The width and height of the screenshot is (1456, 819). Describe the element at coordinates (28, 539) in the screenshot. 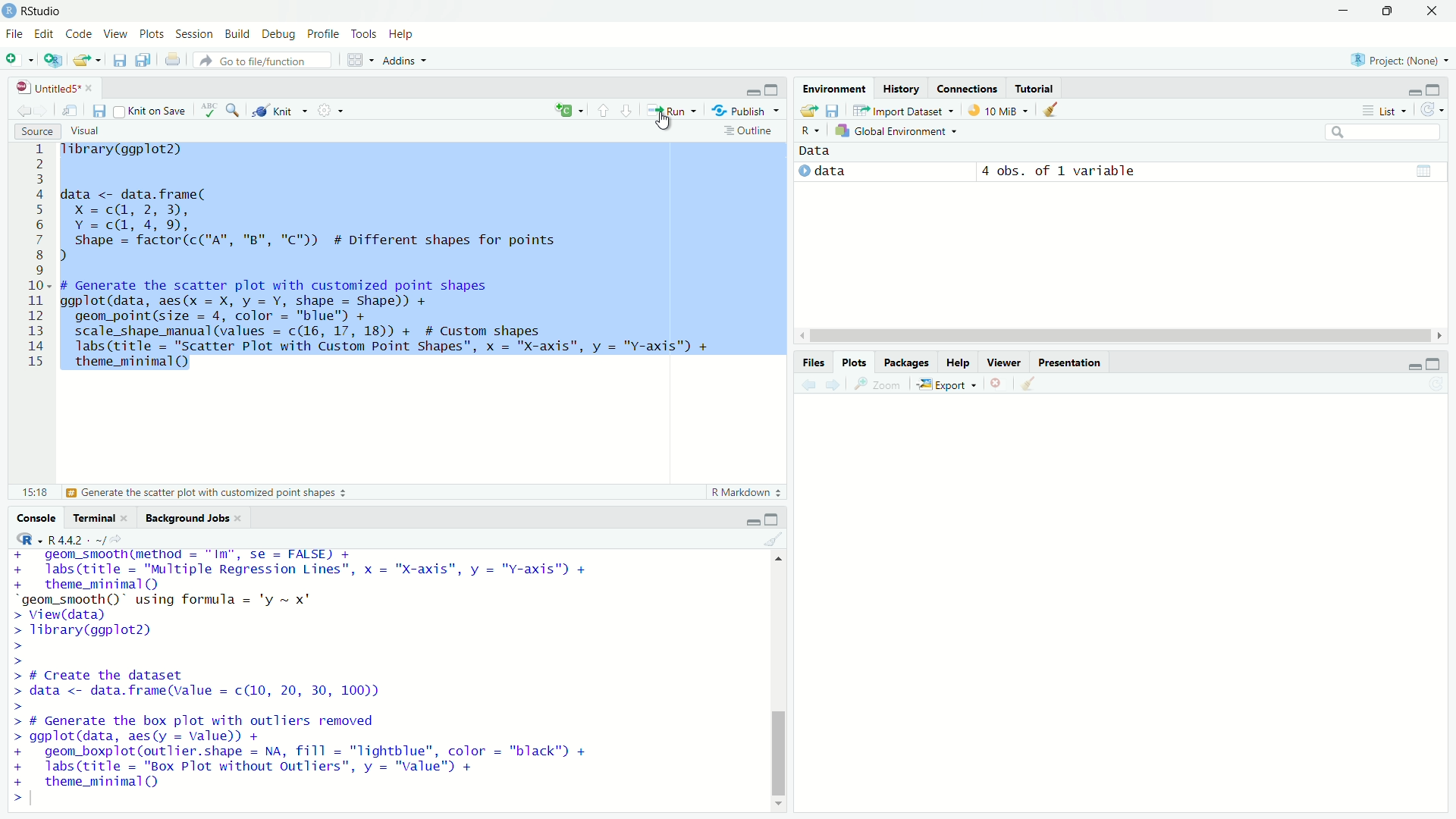

I see `R` at that location.